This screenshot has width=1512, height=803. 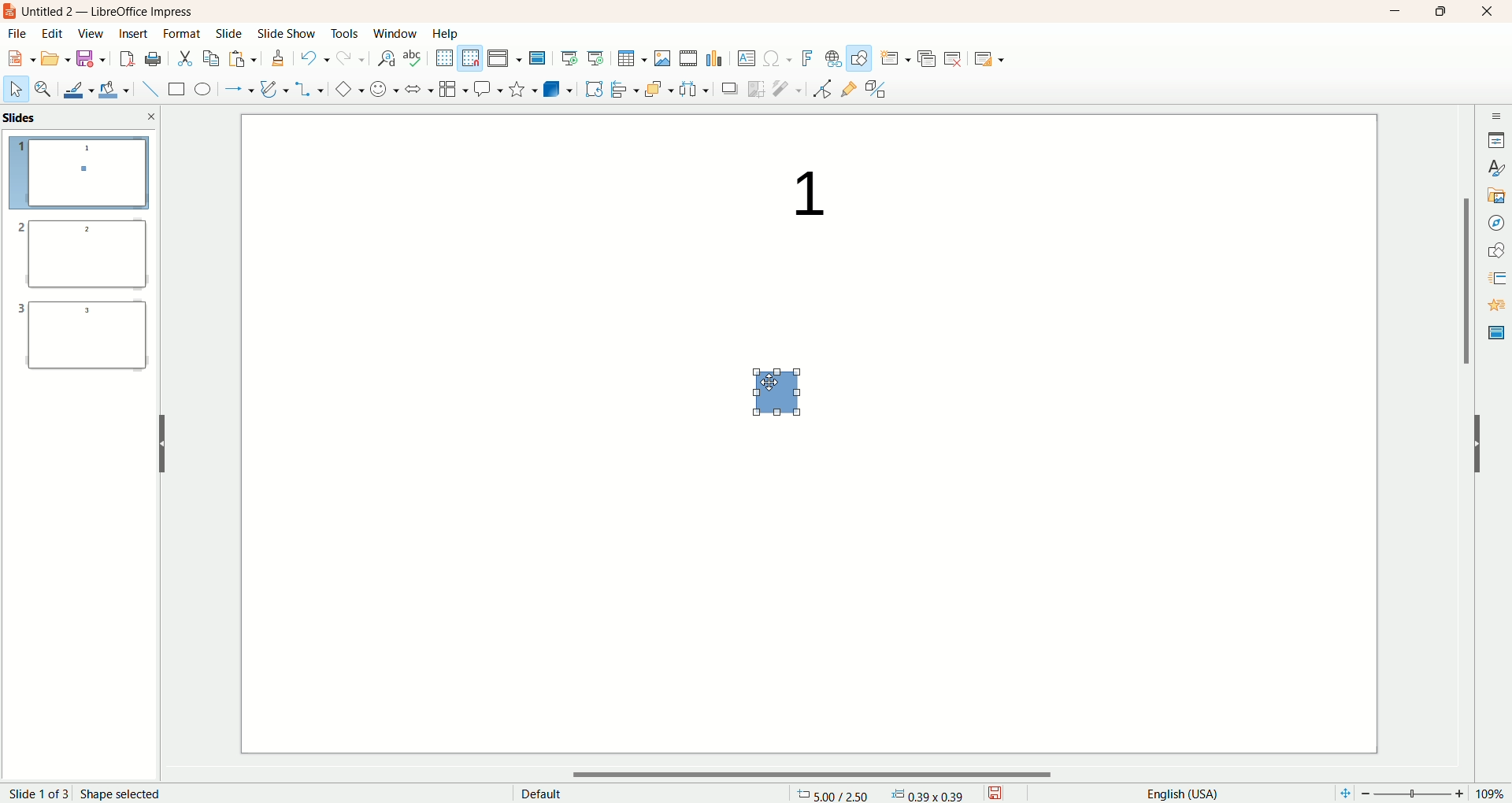 What do you see at coordinates (830, 59) in the screenshot?
I see `hyperlink` at bounding box center [830, 59].